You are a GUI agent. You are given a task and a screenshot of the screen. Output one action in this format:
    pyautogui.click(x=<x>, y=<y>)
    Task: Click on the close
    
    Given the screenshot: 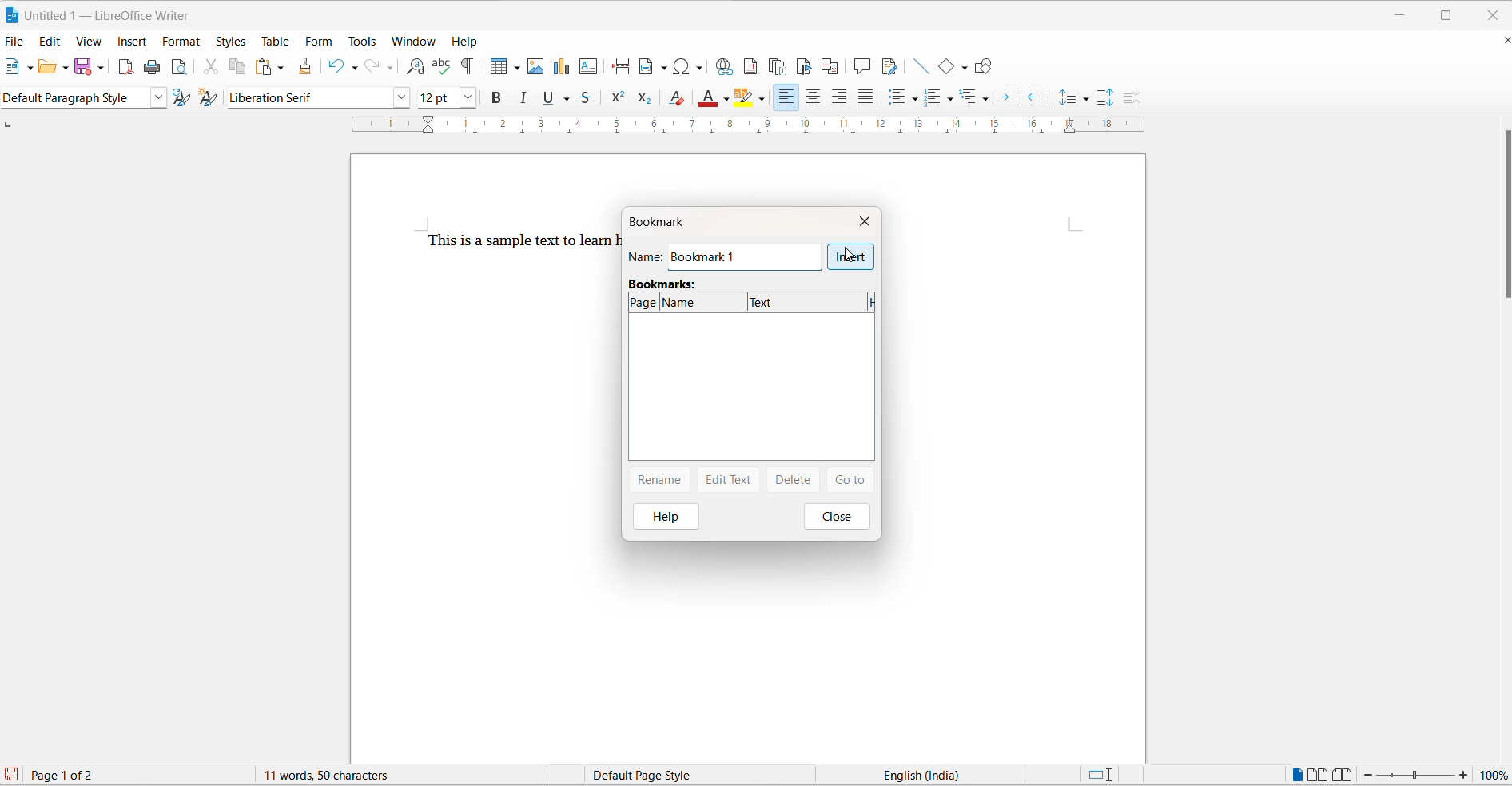 What is the action you would take?
    pyautogui.click(x=840, y=517)
    